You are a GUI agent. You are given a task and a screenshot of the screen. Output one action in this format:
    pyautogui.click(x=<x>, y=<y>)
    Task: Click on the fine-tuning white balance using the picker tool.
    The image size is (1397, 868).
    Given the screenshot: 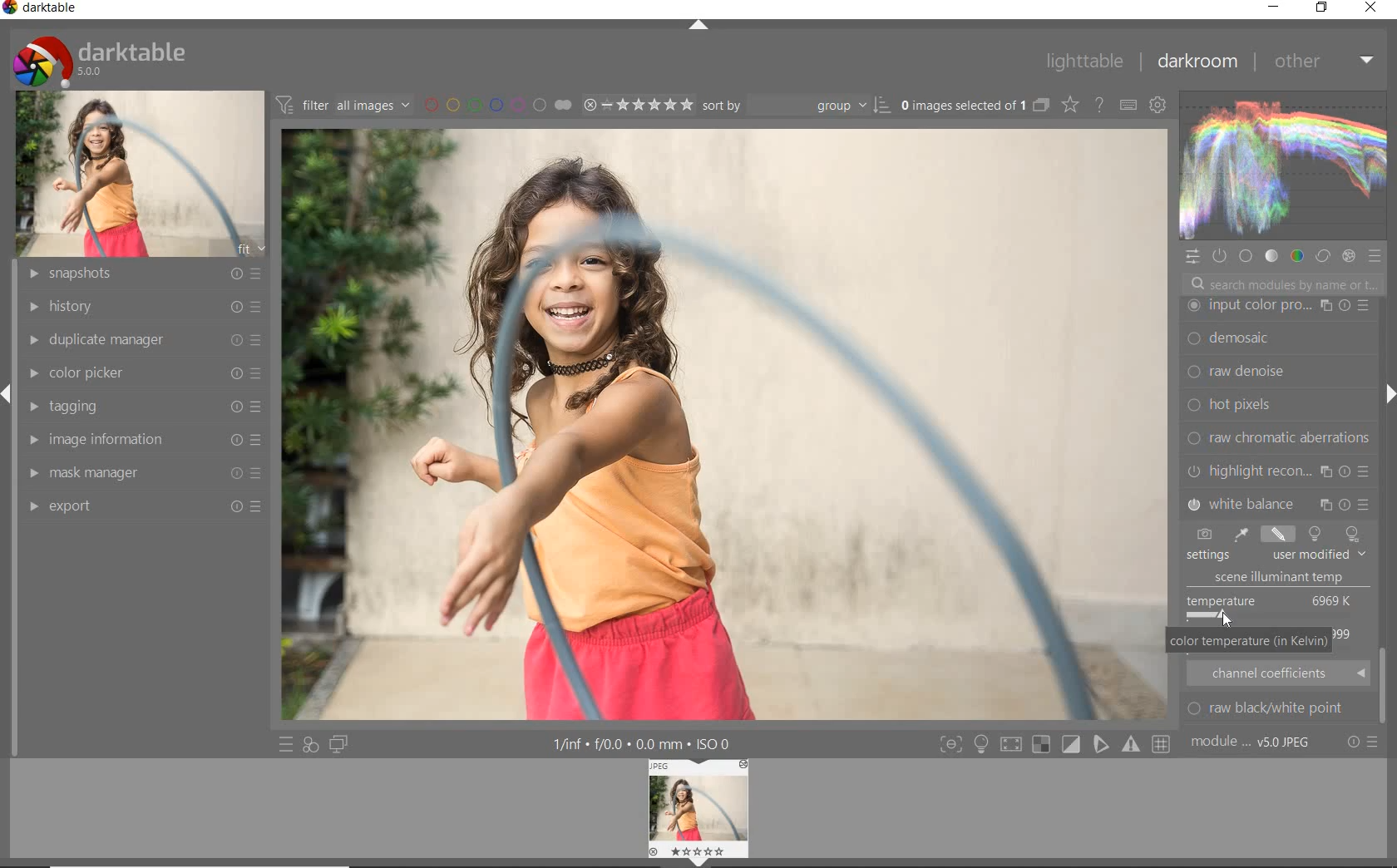 What is the action you would take?
    pyautogui.click(x=725, y=423)
    